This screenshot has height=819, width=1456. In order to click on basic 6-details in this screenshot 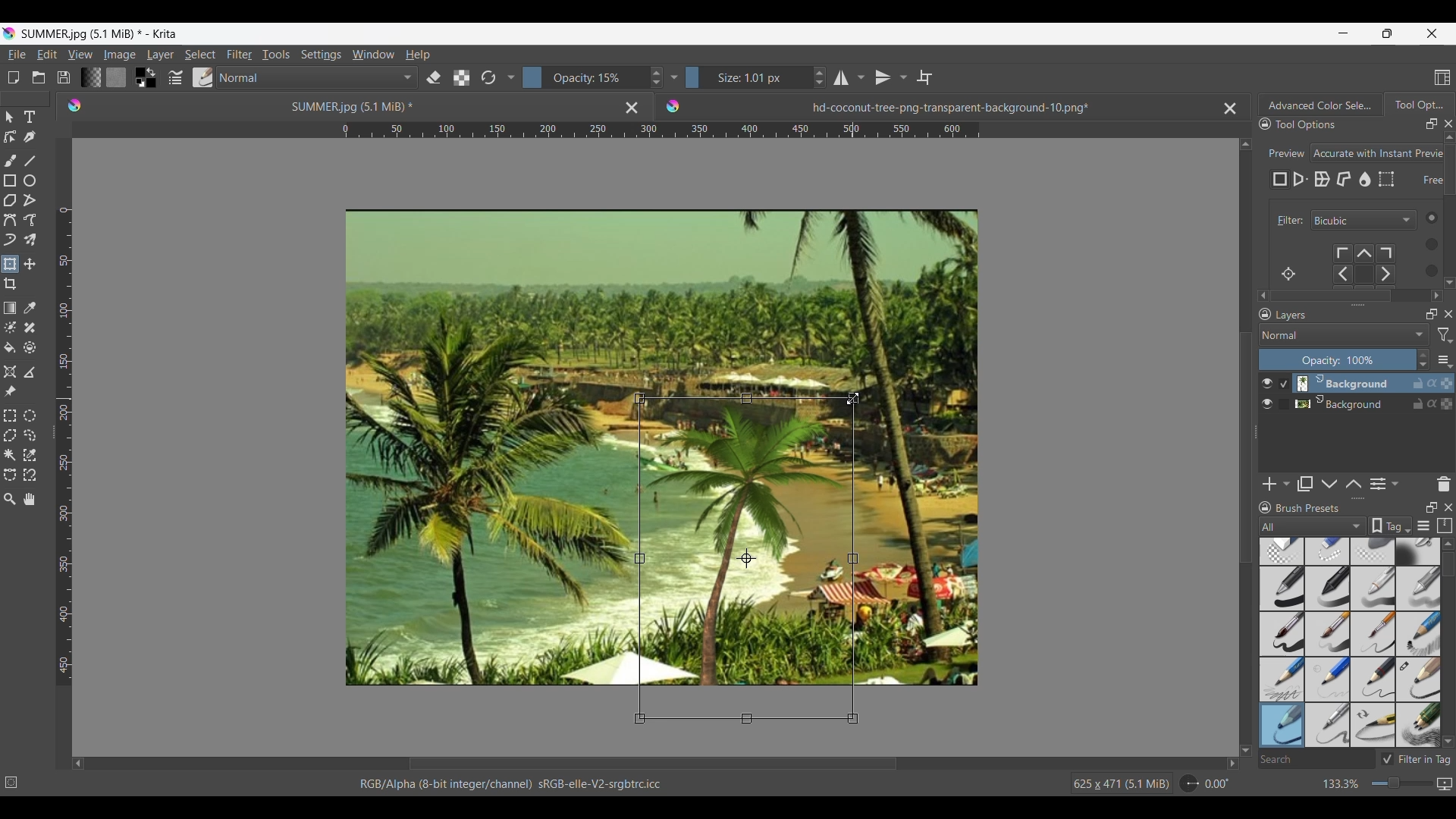, I will do `click(1375, 634)`.